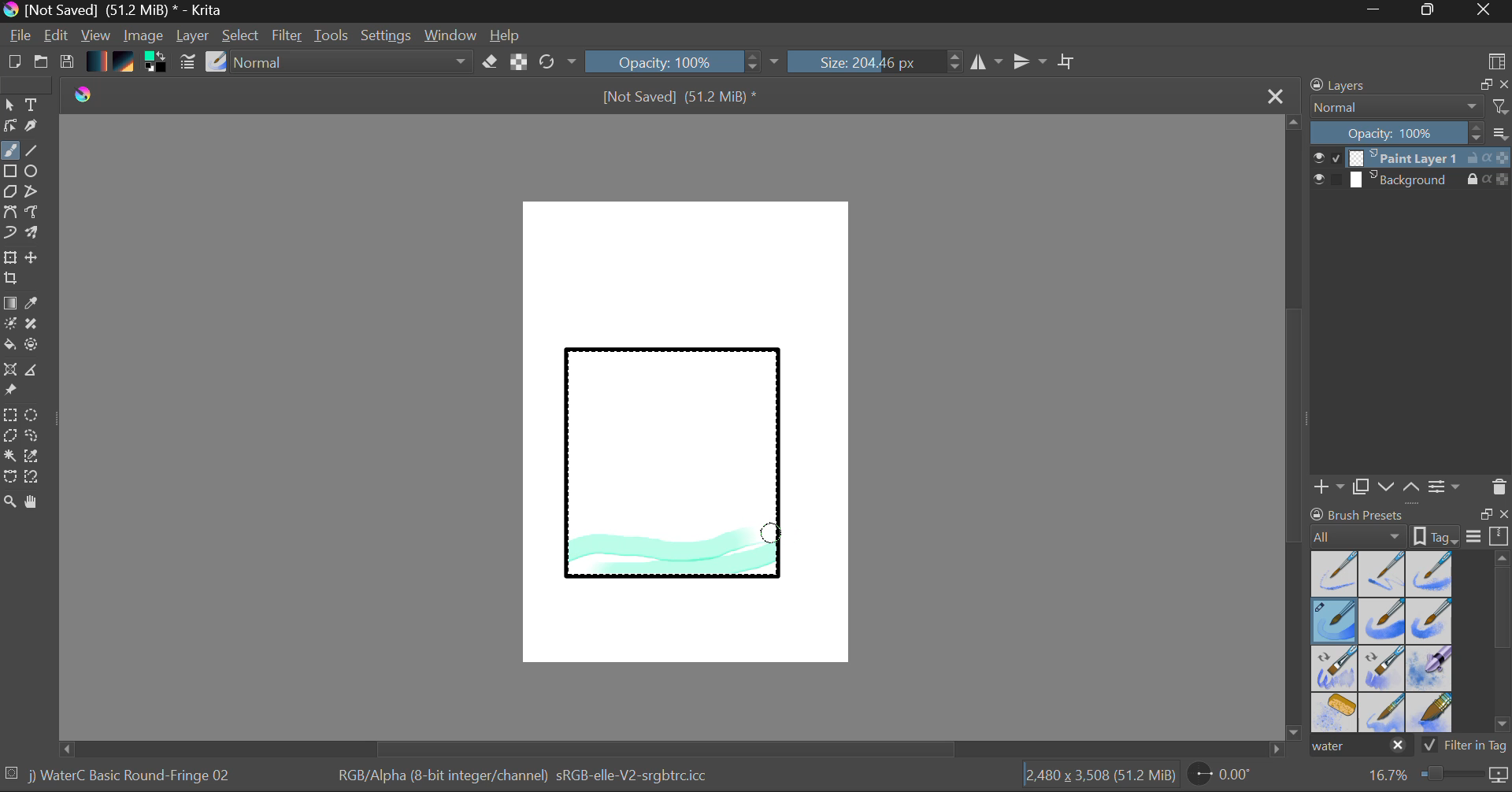 The width and height of the screenshot is (1512, 792). I want to click on Scroll Bar, so click(1503, 645).